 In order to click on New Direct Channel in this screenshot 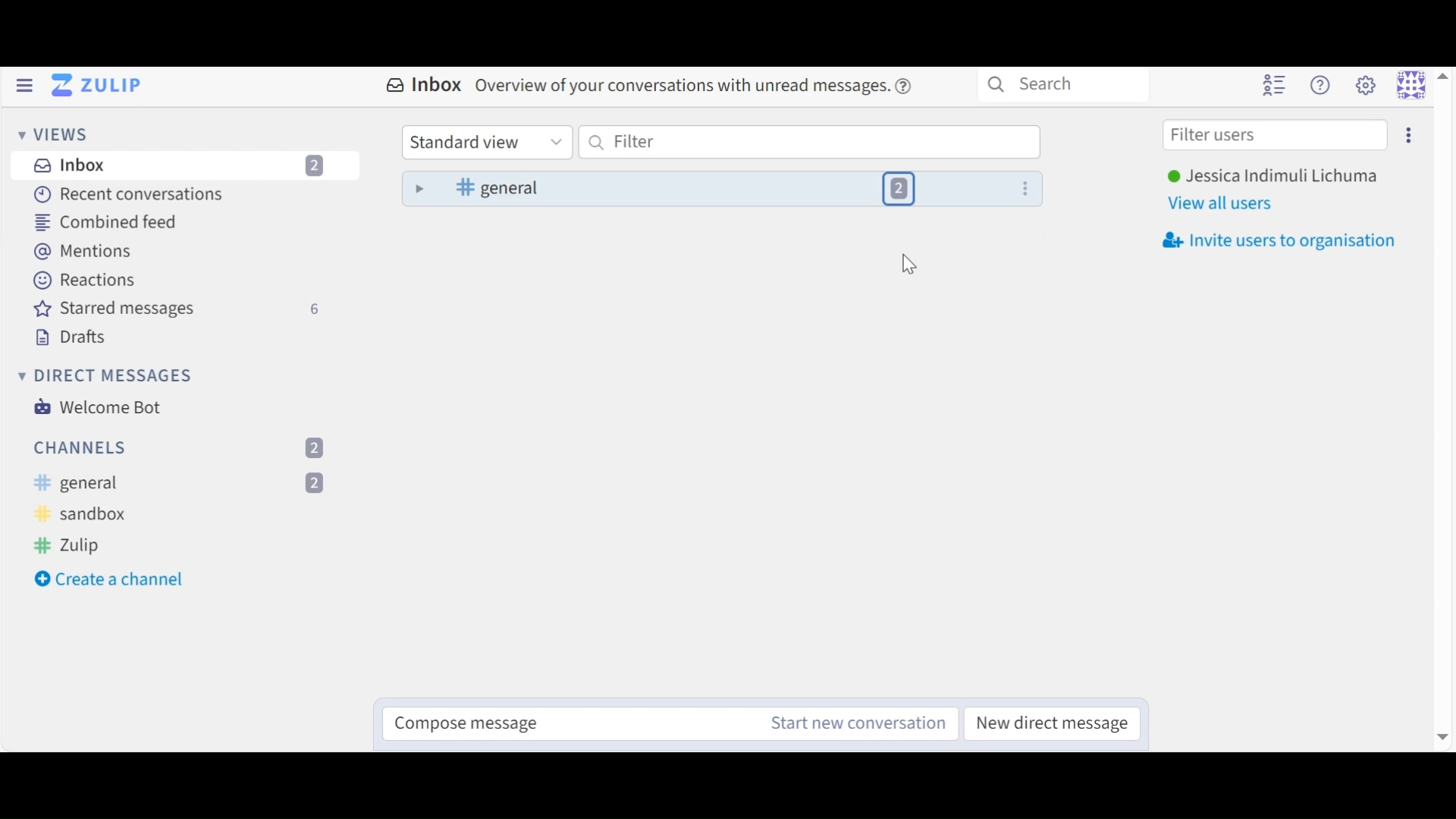, I will do `click(1047, 722)`.